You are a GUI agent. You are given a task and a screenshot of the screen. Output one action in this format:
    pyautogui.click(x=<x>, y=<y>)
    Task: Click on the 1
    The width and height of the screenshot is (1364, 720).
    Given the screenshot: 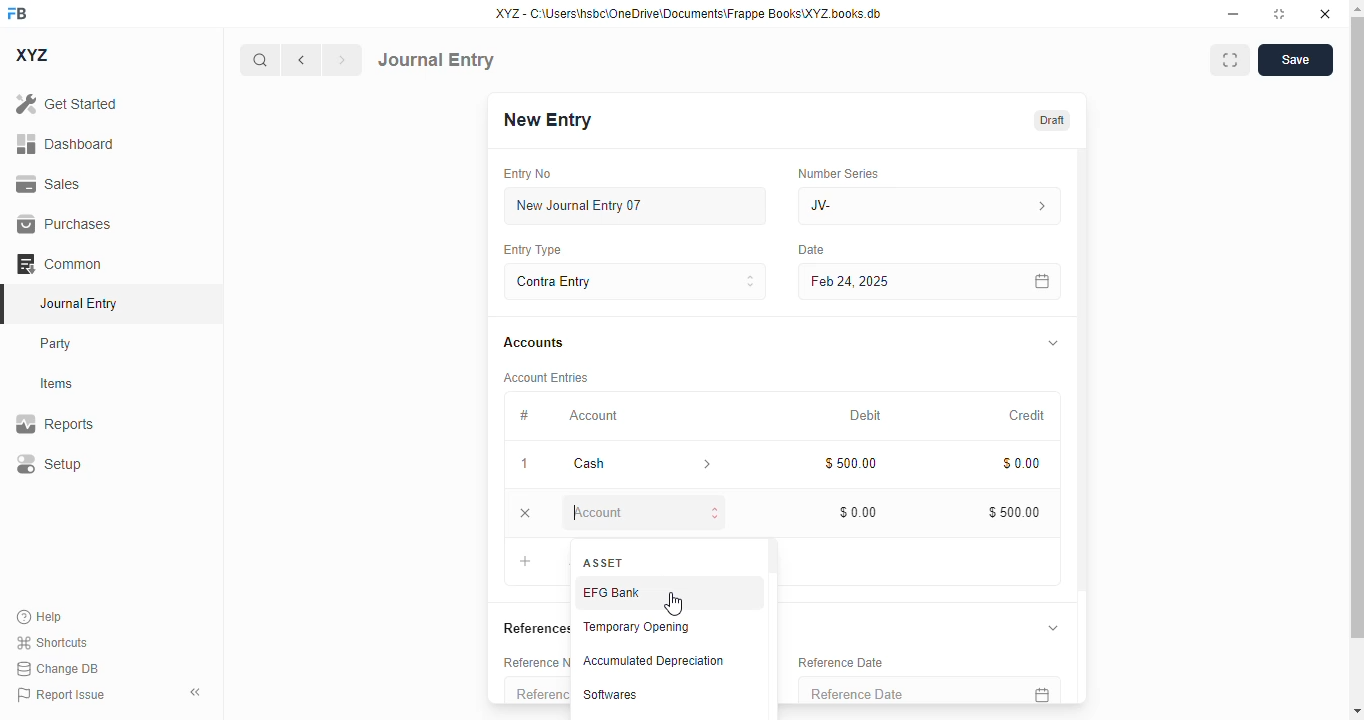 What is the action you would take?
    pyautogui.click(x=526, y=465)
    